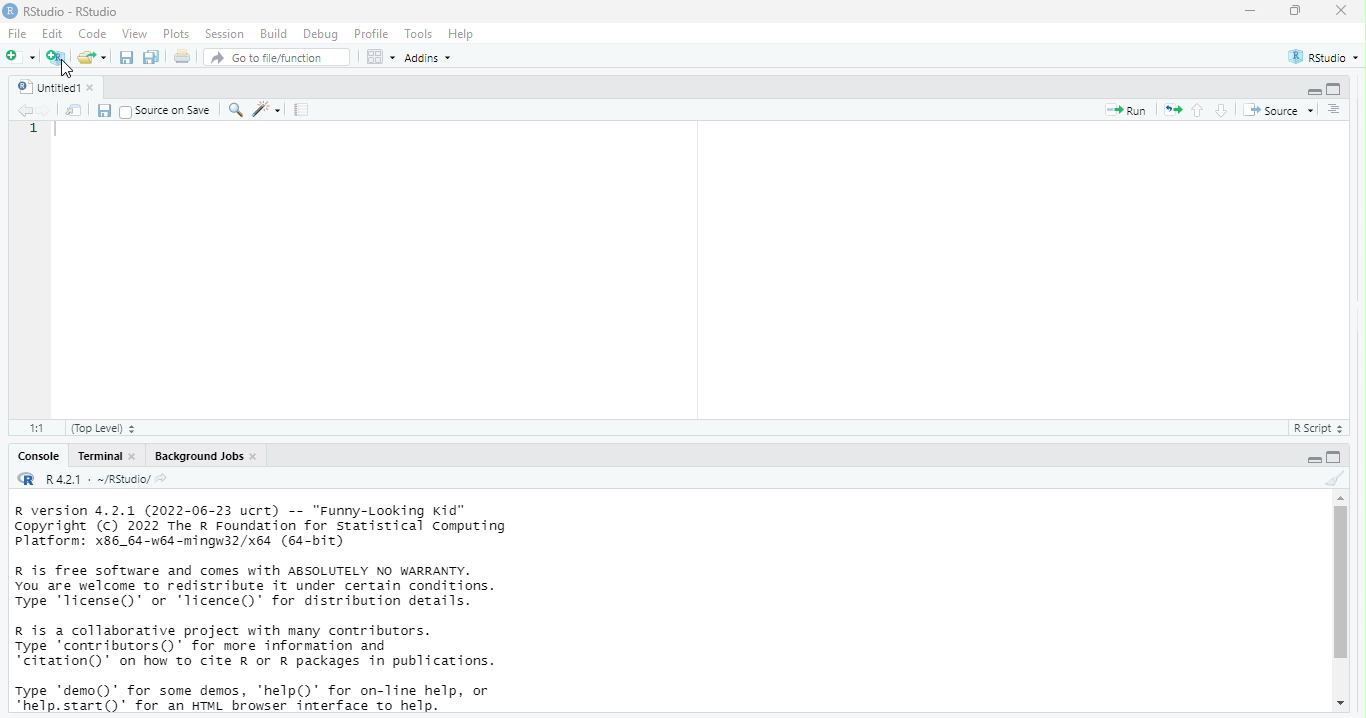  What do you see at coordinates (1342, 598) in the screenshot?
I see `scrollbar` at bounding box center [1342, 598].